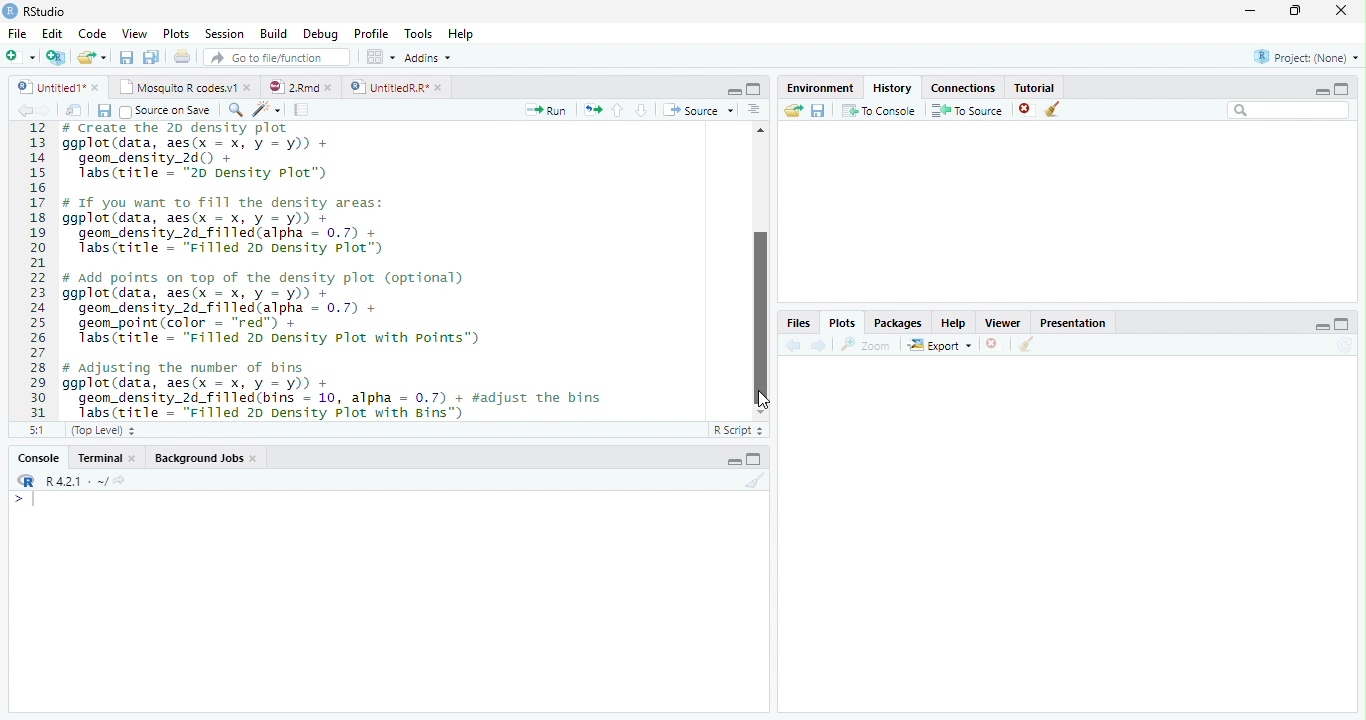  Describe the element at coordinates (178, 87) in the screenshot. I see `‘Mosquito R codes.v1` at that location.